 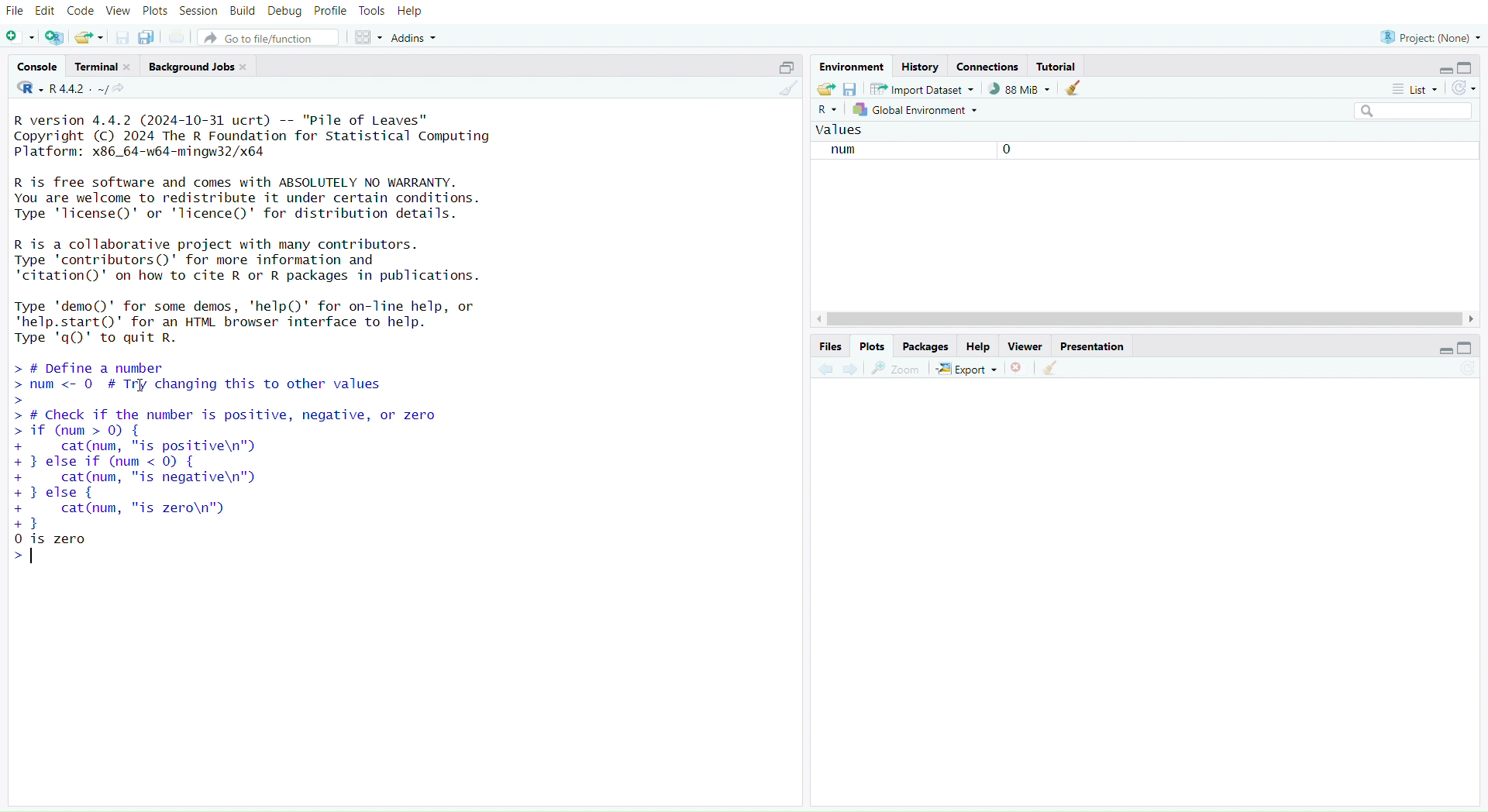 I want to click on go to file/function, so click(x=272, y=40).